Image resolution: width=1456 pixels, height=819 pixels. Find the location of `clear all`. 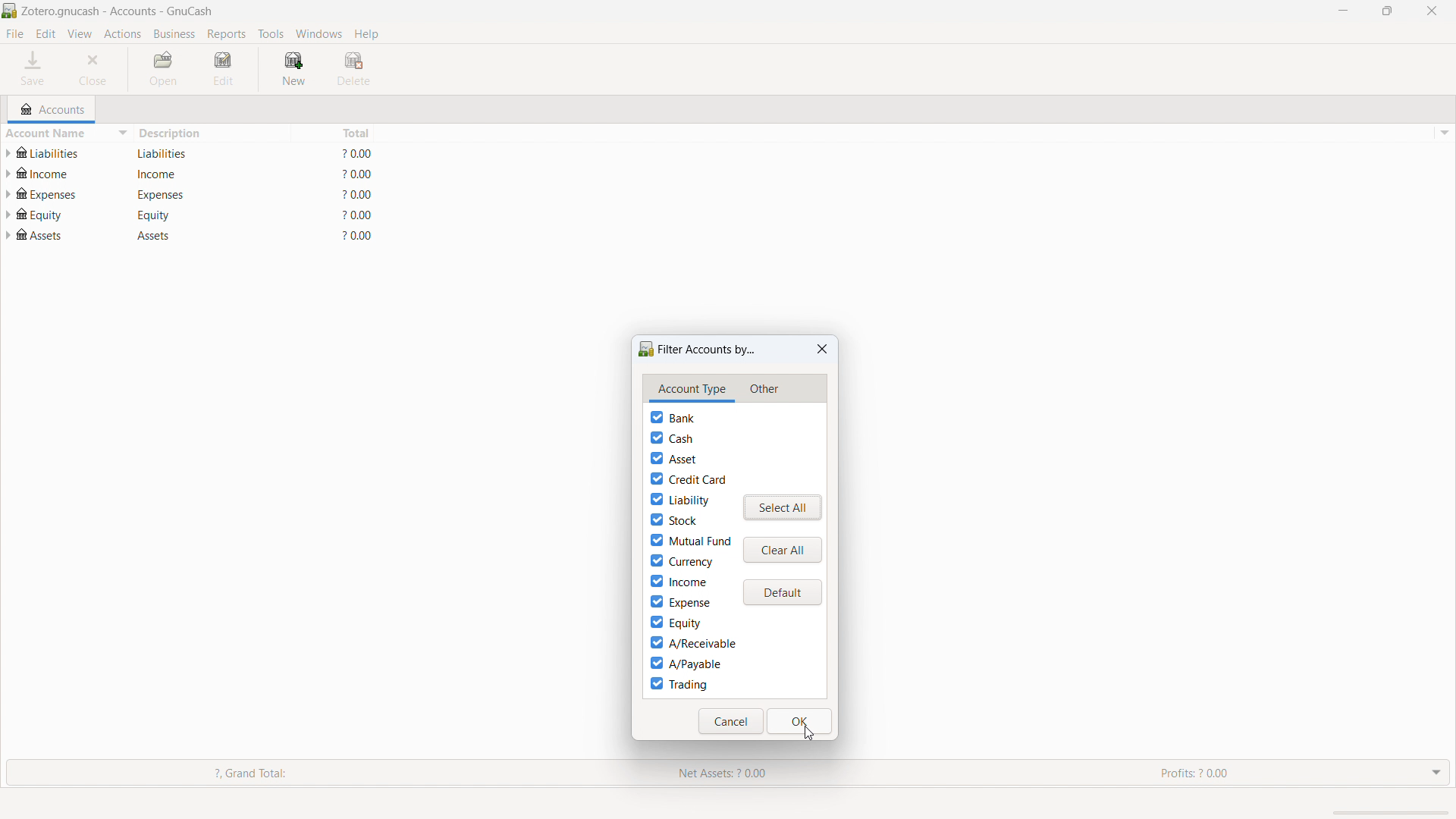

clear all is located at coordinates (783, 550).